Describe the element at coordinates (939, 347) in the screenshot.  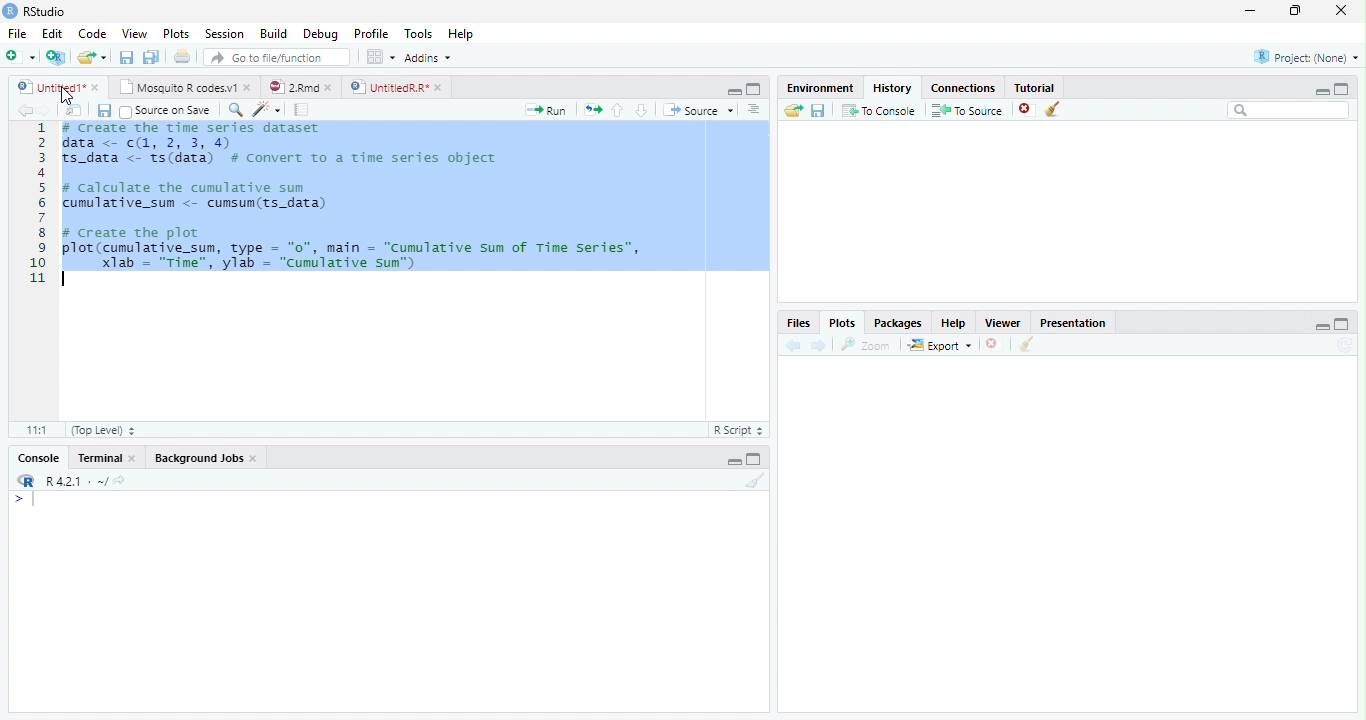
I see `Export` at that location.